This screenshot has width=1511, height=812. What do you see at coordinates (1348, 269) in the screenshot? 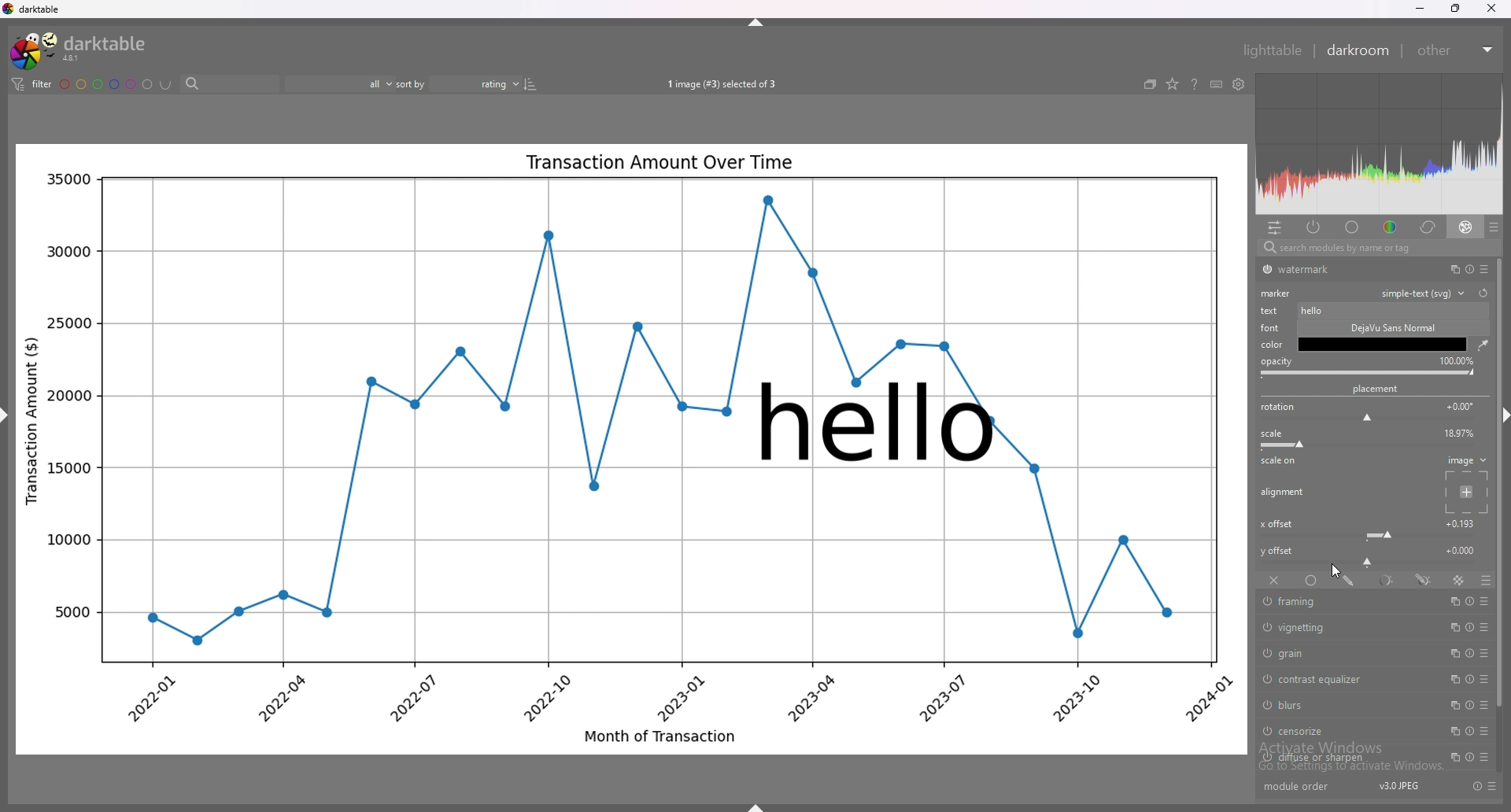
I see `watermark` at bounding box center [1348, 269].